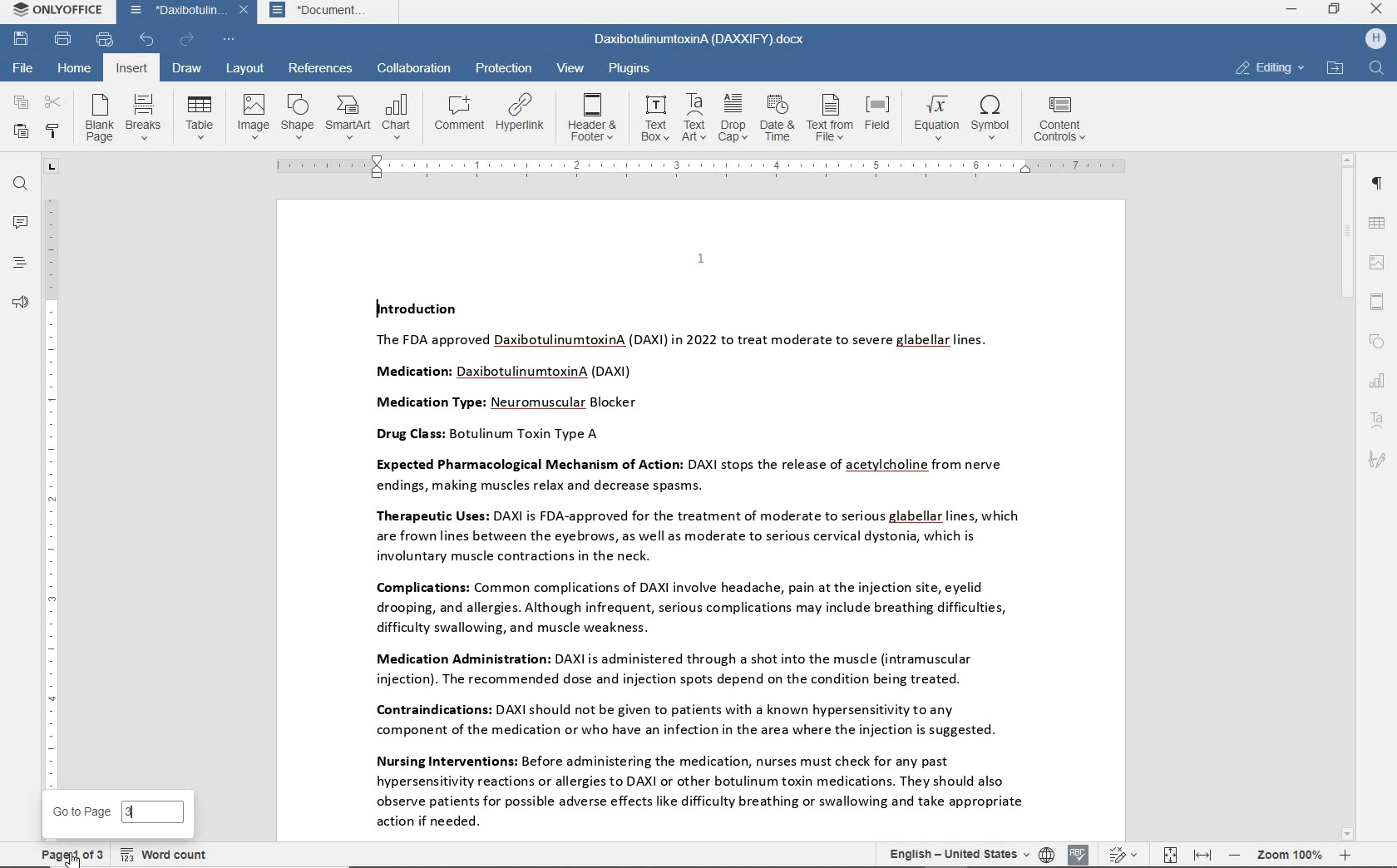 This screenshot has width=1397, height=868. I want to click on 1, so click(700, 258).